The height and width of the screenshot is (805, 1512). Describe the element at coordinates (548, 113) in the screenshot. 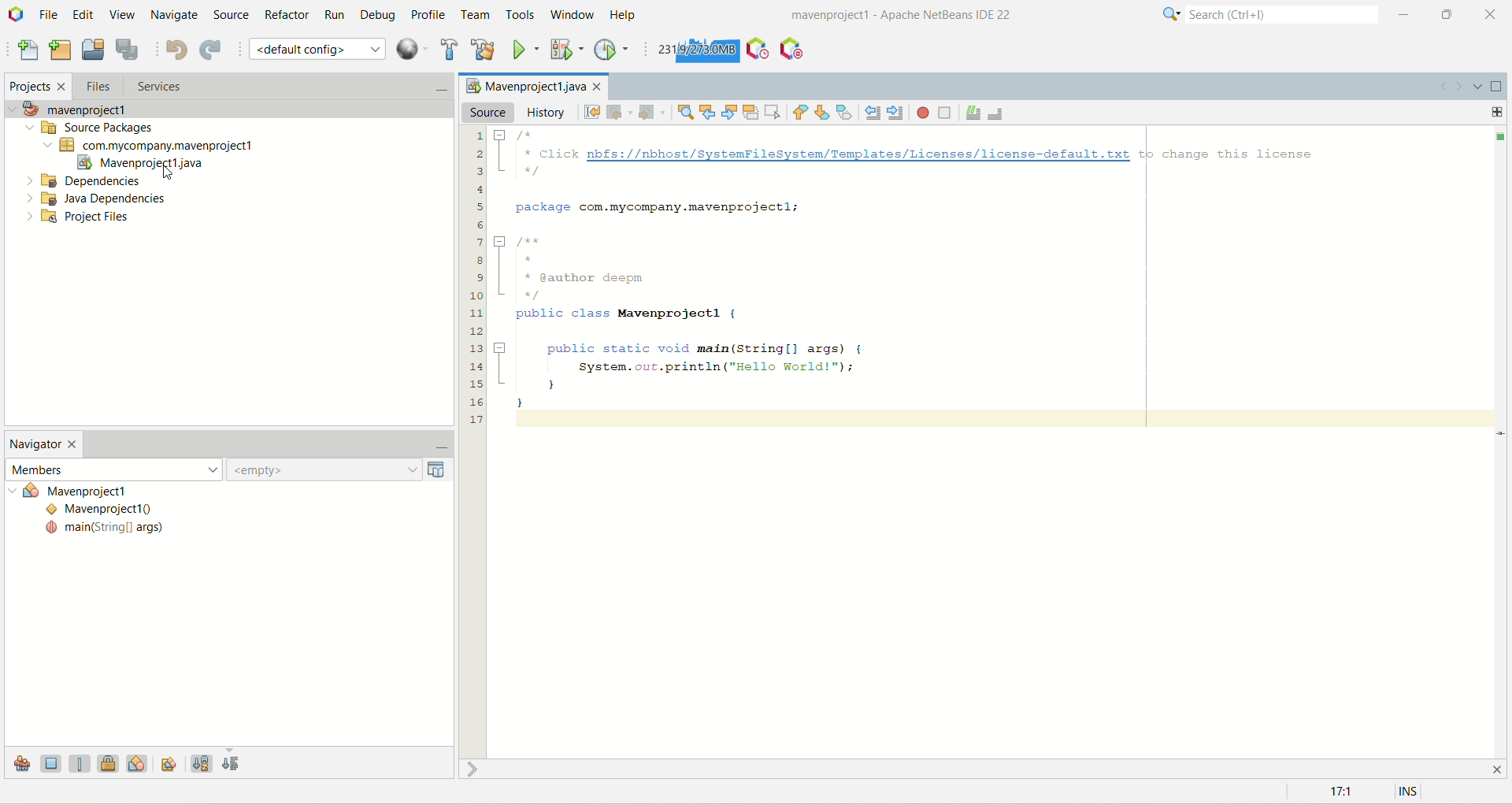

I see `history` at that location.